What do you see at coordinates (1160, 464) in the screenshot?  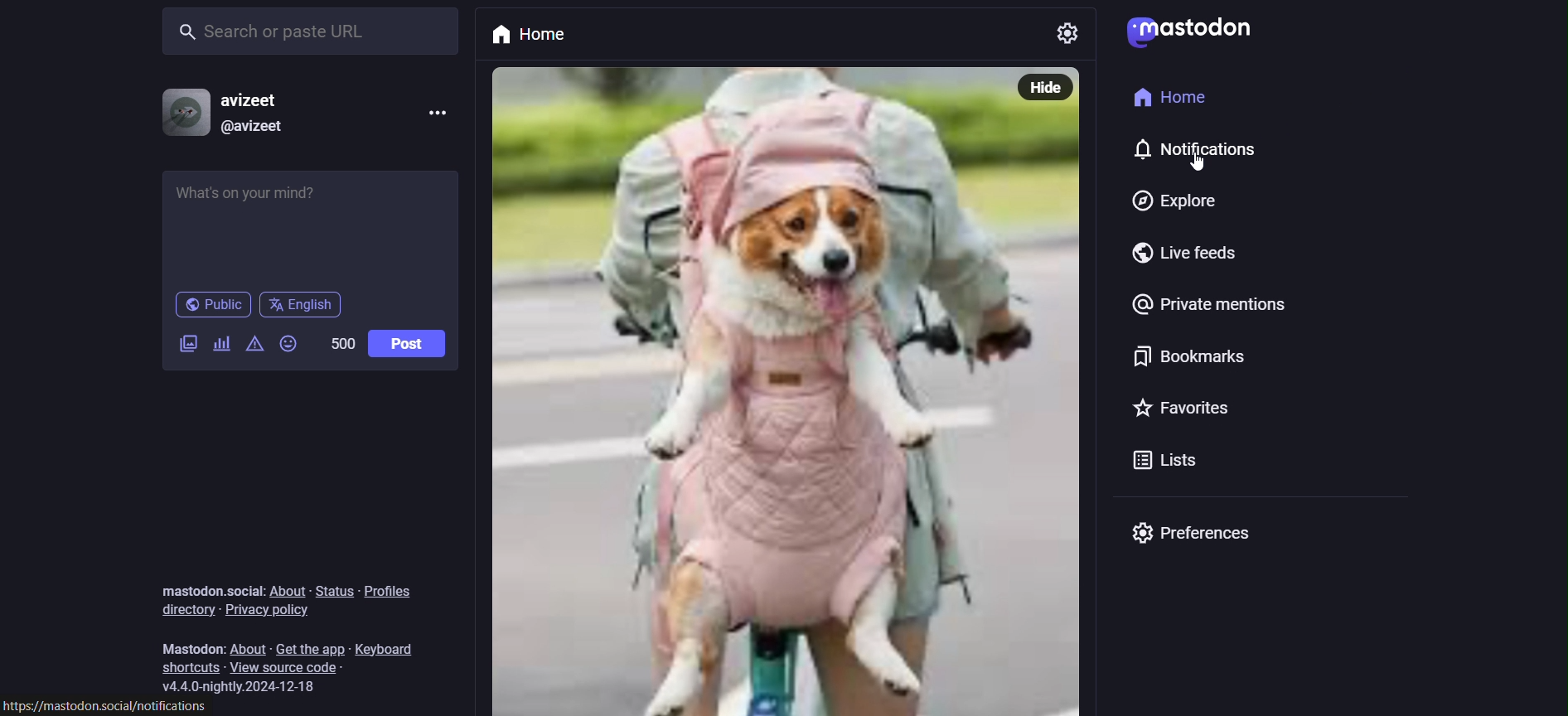 I see `lists` at bounding box center [1160, 464].